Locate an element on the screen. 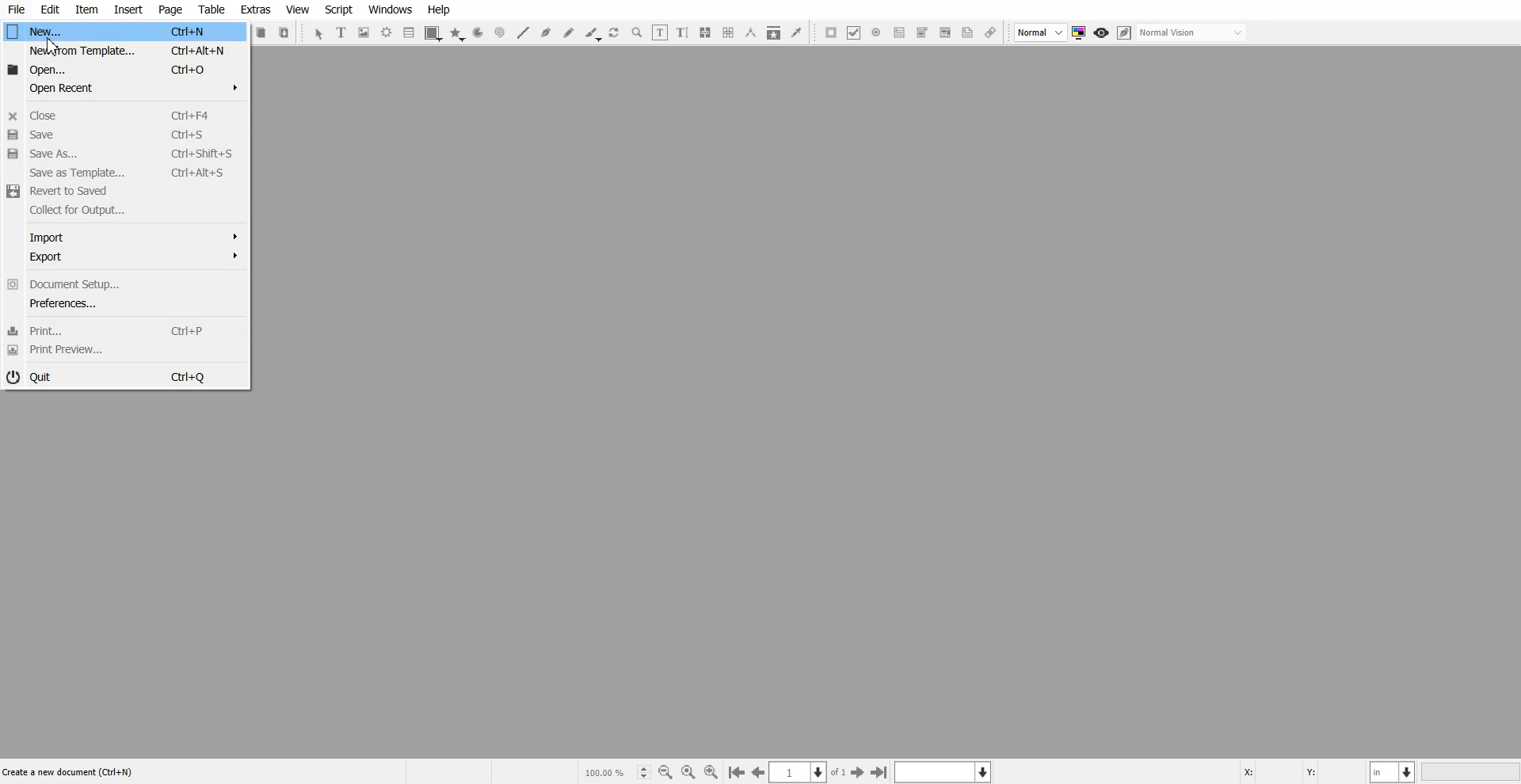  Open is located at coordinates (124, 69).